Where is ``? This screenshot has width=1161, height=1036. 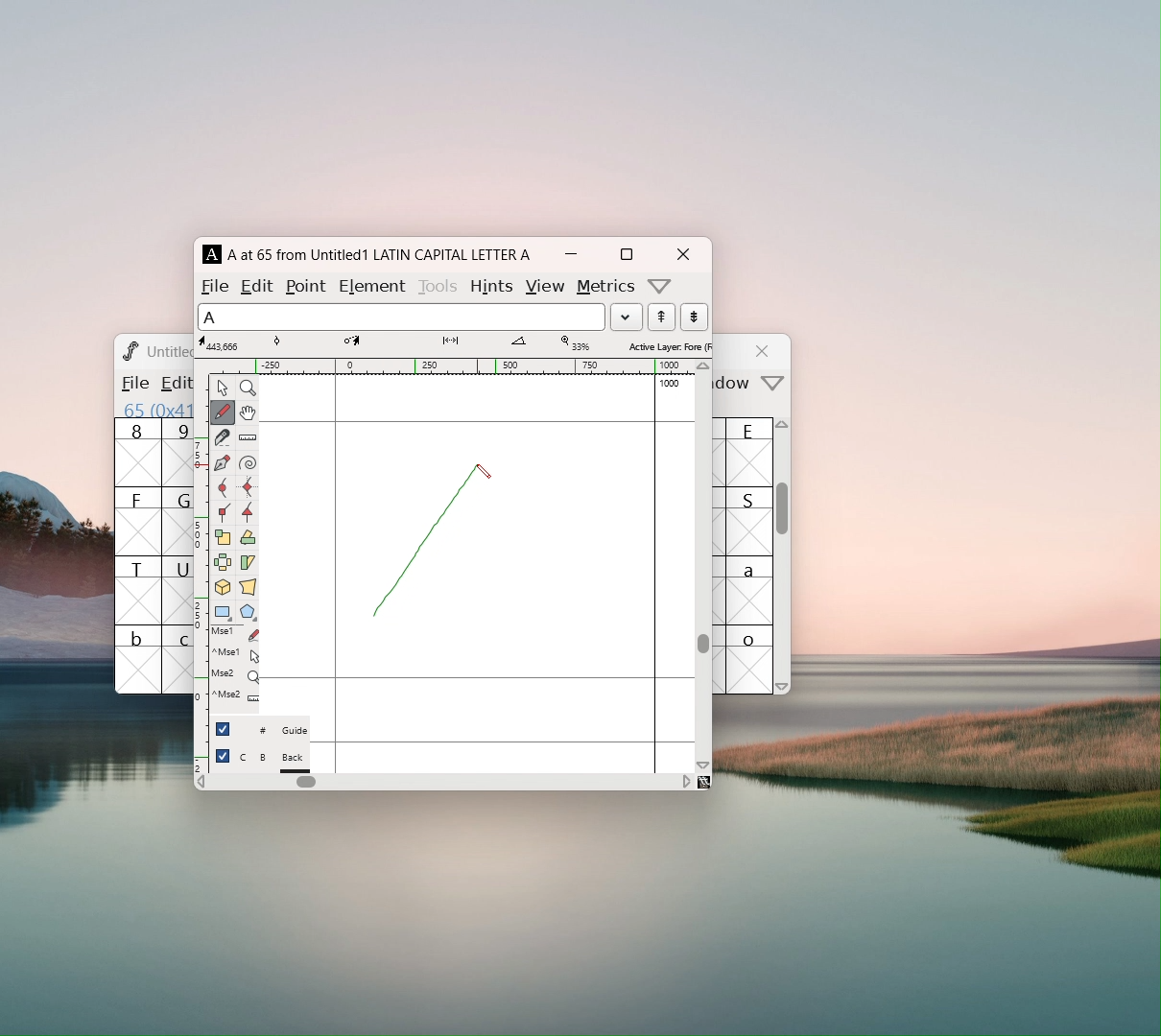  is located at coordinates (173, 385).